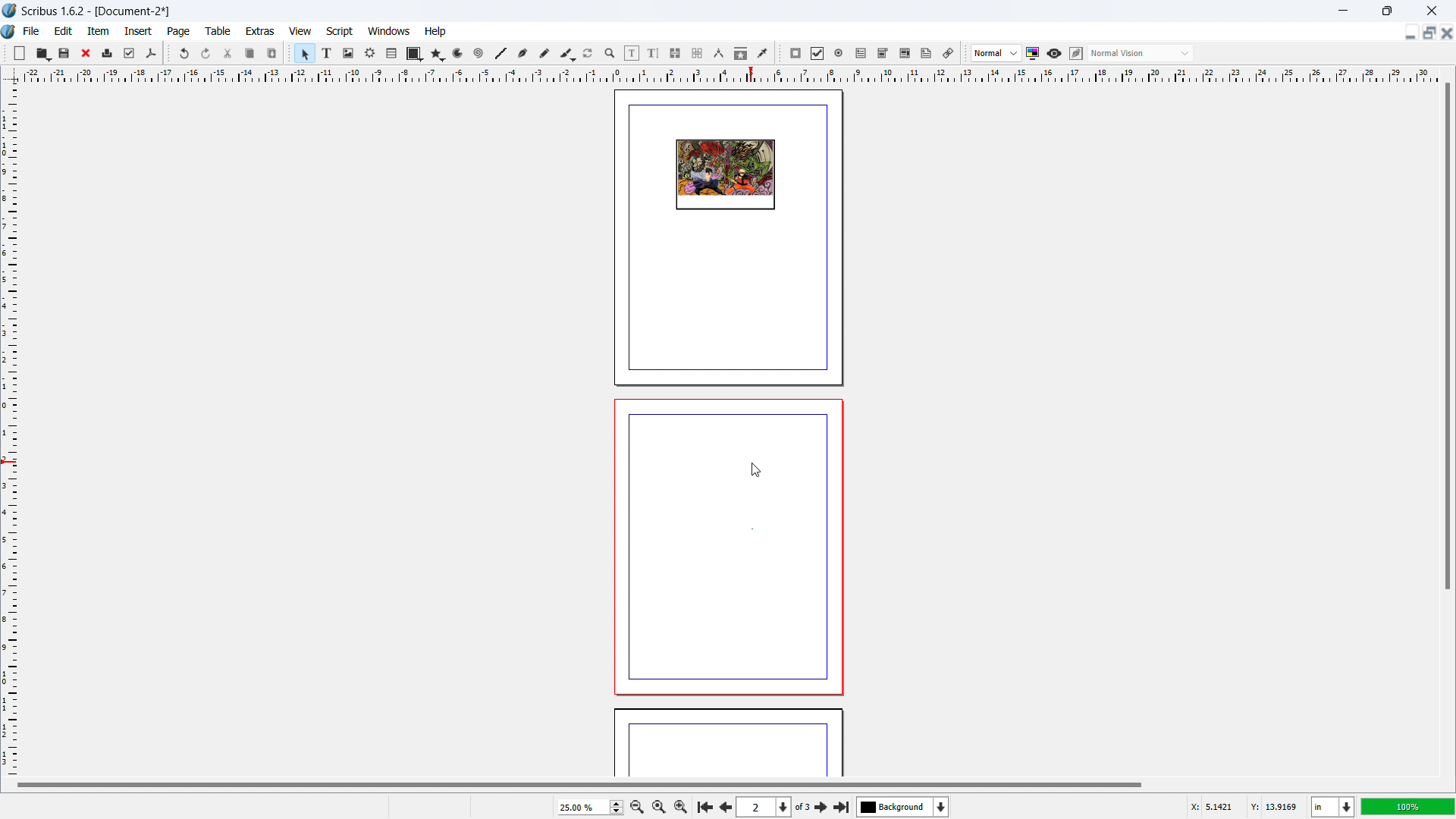  What do you see at coordinates (261, 31) in the screenshot?
I see `extras` at bounding box center [261, 31].